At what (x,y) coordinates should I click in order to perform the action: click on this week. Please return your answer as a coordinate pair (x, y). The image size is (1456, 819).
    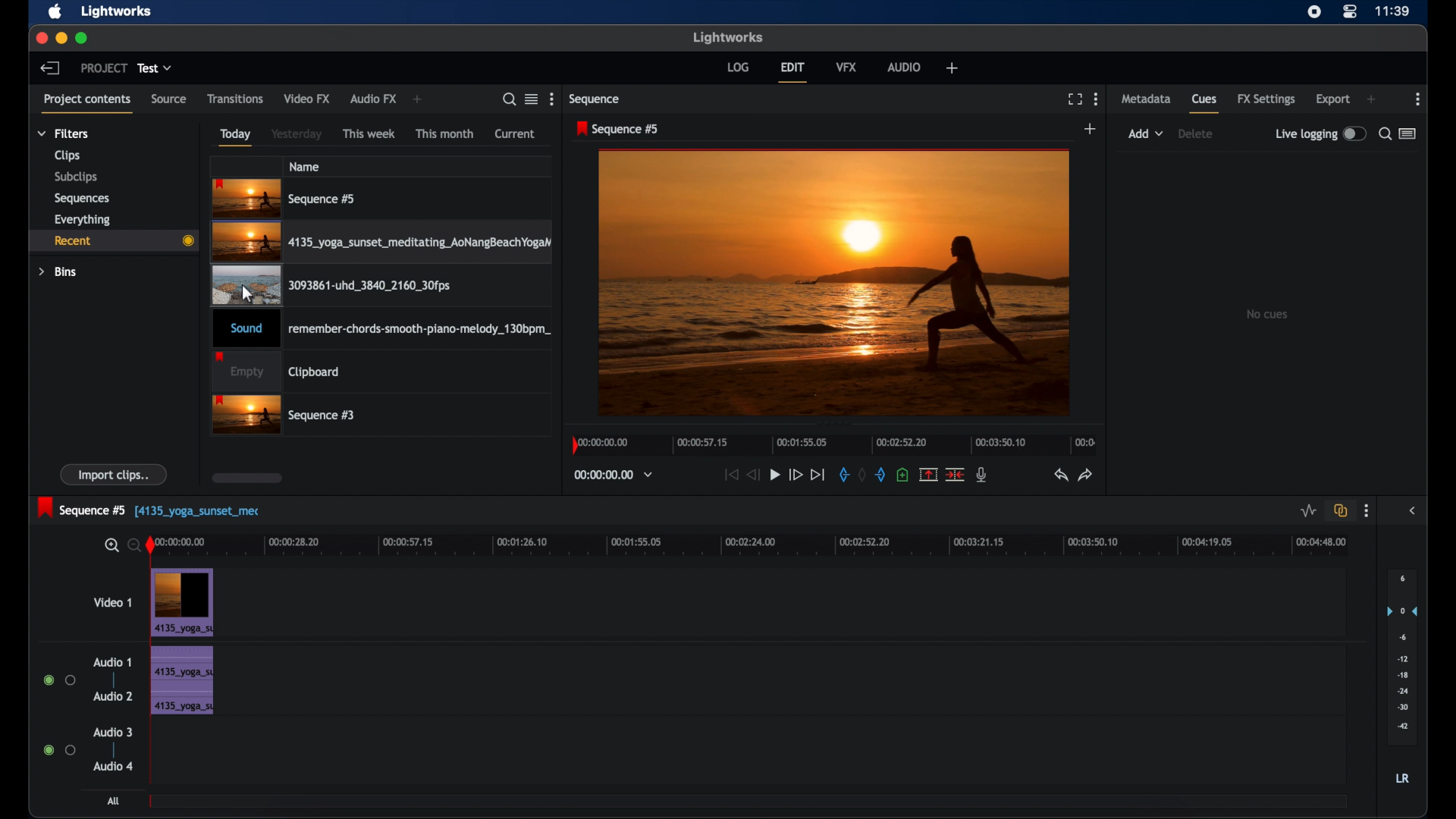
    Looking at the image, I should click on (369, 134).